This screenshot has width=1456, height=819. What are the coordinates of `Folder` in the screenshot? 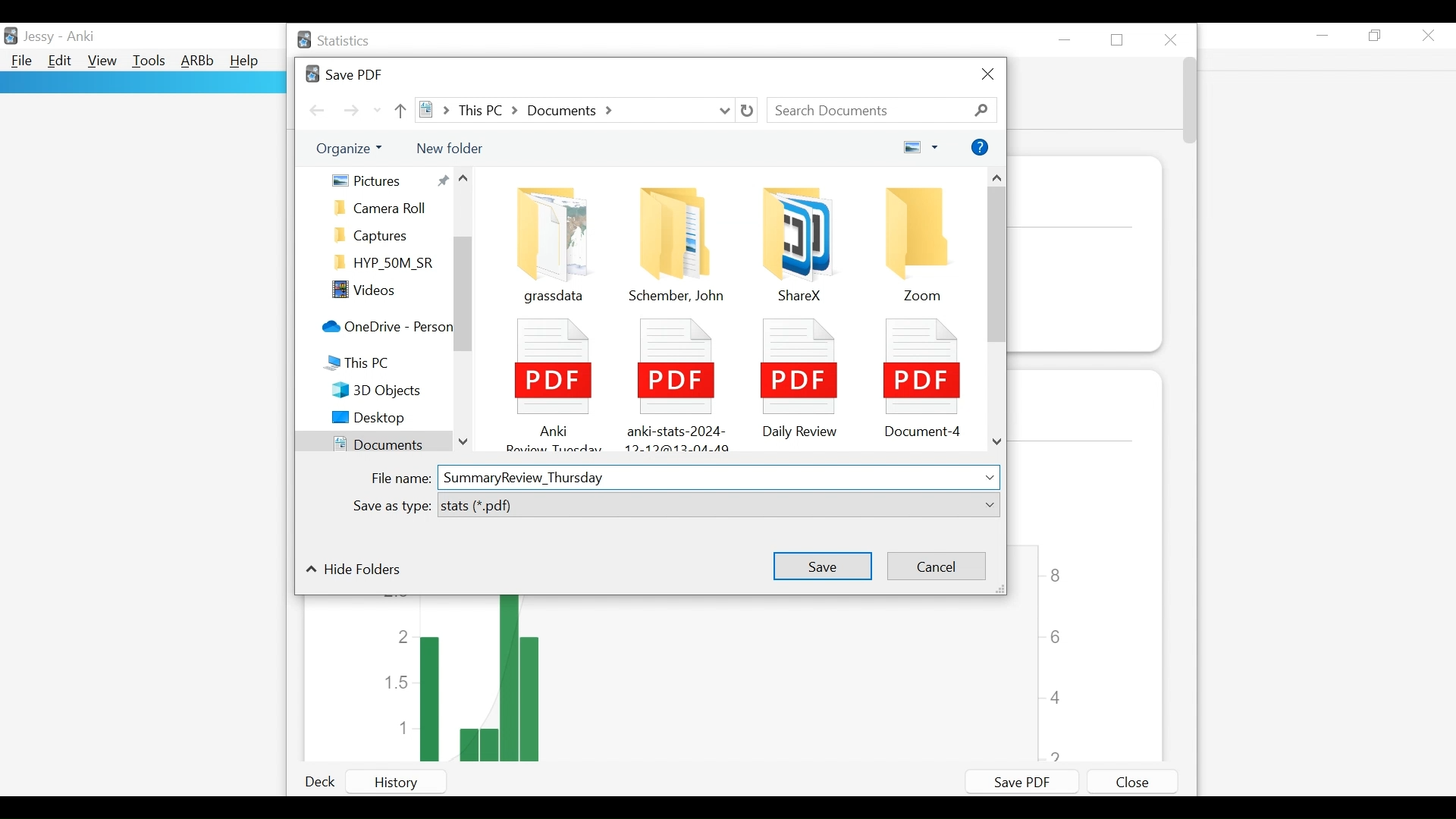 It's located at (548, 239).